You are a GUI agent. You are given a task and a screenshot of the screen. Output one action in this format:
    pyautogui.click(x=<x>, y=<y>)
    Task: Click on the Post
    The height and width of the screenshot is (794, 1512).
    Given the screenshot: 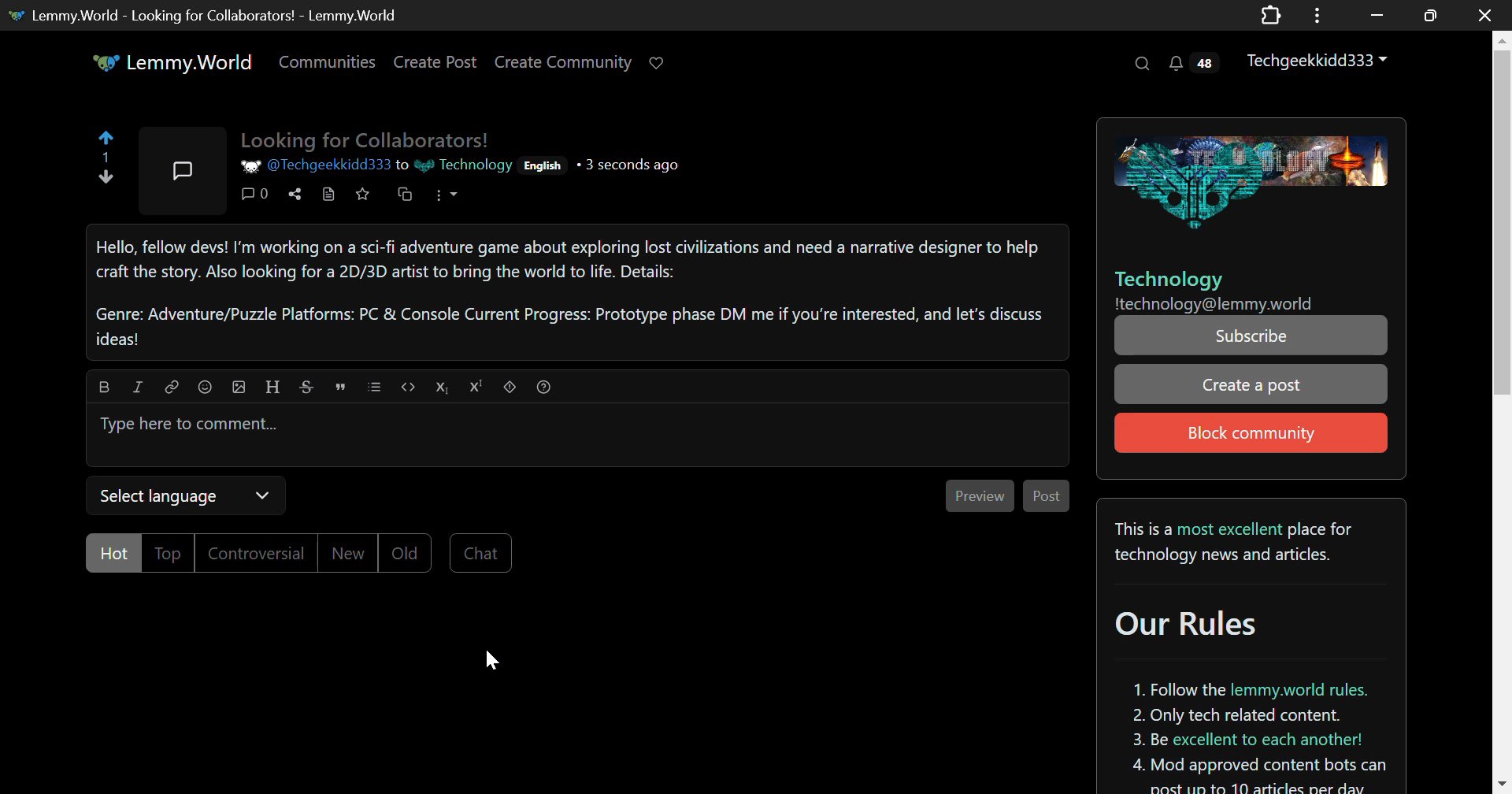 What is the action you would take?
    pyautogui.click(x=1043, y=495)
    